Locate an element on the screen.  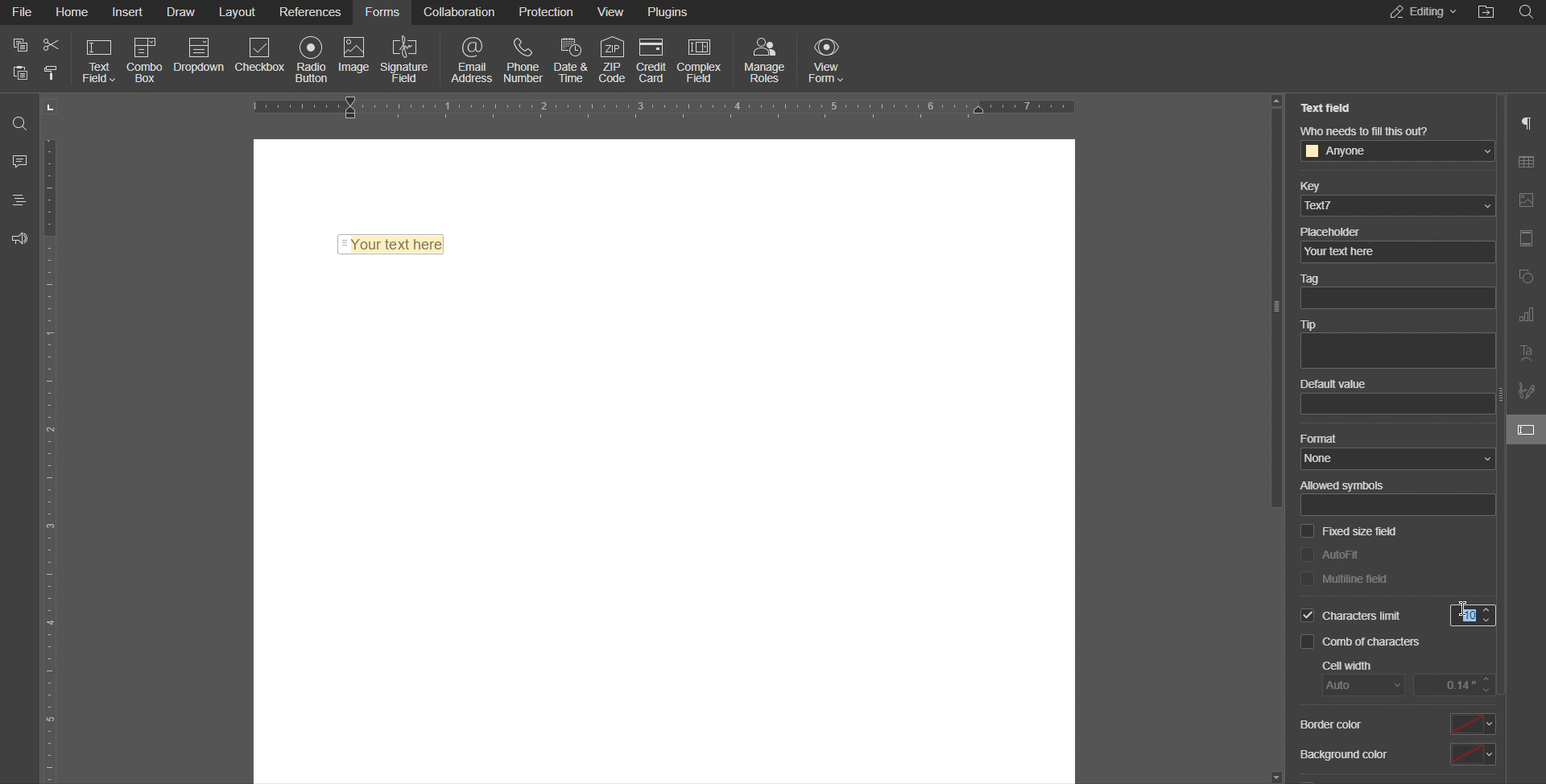
ZIP Code is located at coordinates (608, 56).